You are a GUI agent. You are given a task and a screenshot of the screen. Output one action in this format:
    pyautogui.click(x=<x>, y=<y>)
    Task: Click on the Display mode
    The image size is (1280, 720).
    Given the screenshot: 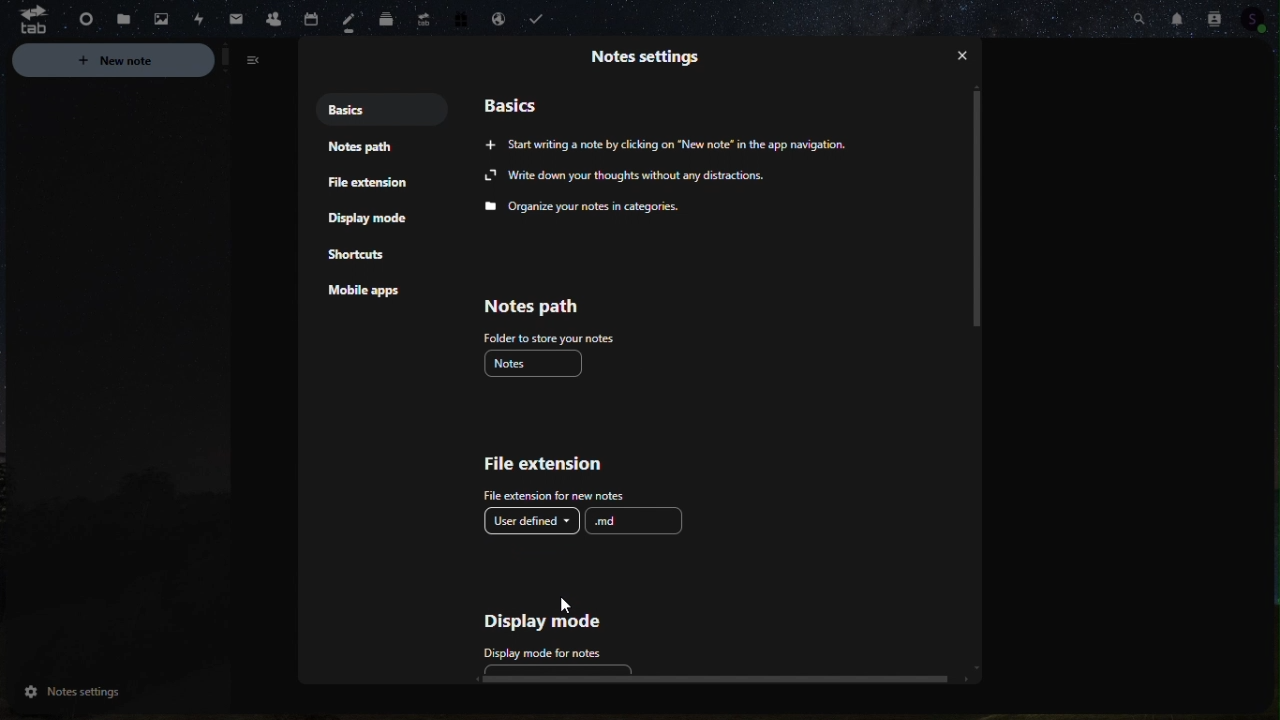 What is the action you would take?
    pyautogui.click(x=377, y=221)
    